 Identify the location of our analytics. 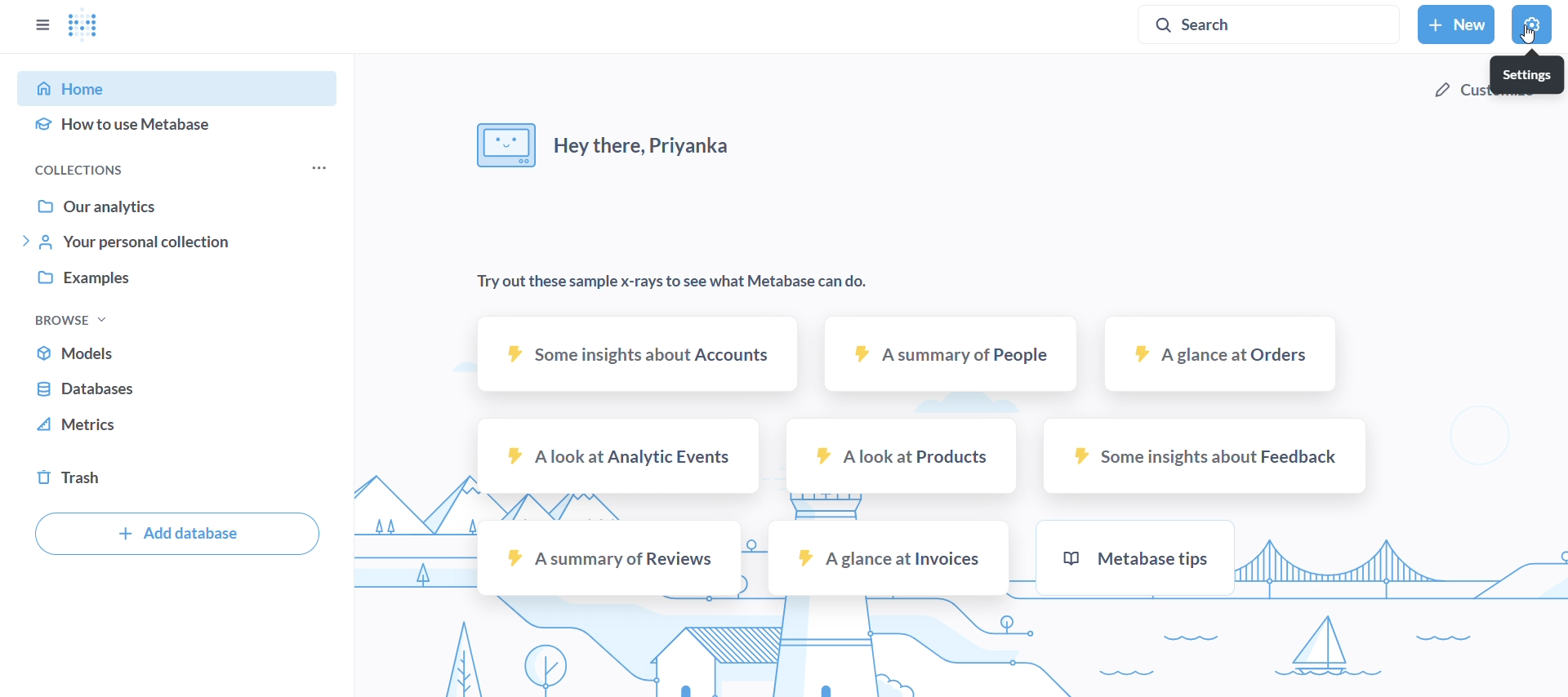
(177, 202).